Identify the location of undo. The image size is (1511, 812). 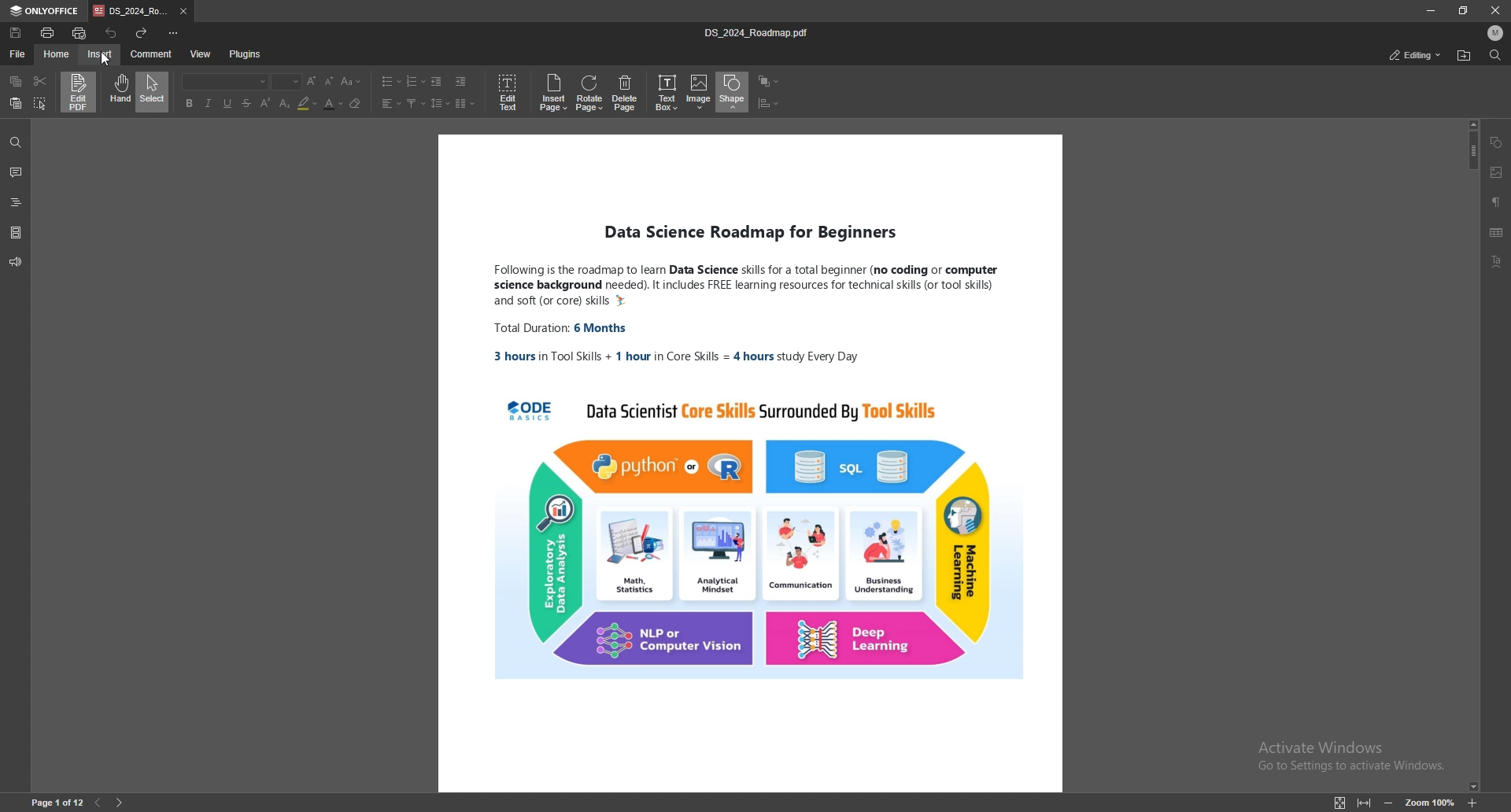
(111, 32).